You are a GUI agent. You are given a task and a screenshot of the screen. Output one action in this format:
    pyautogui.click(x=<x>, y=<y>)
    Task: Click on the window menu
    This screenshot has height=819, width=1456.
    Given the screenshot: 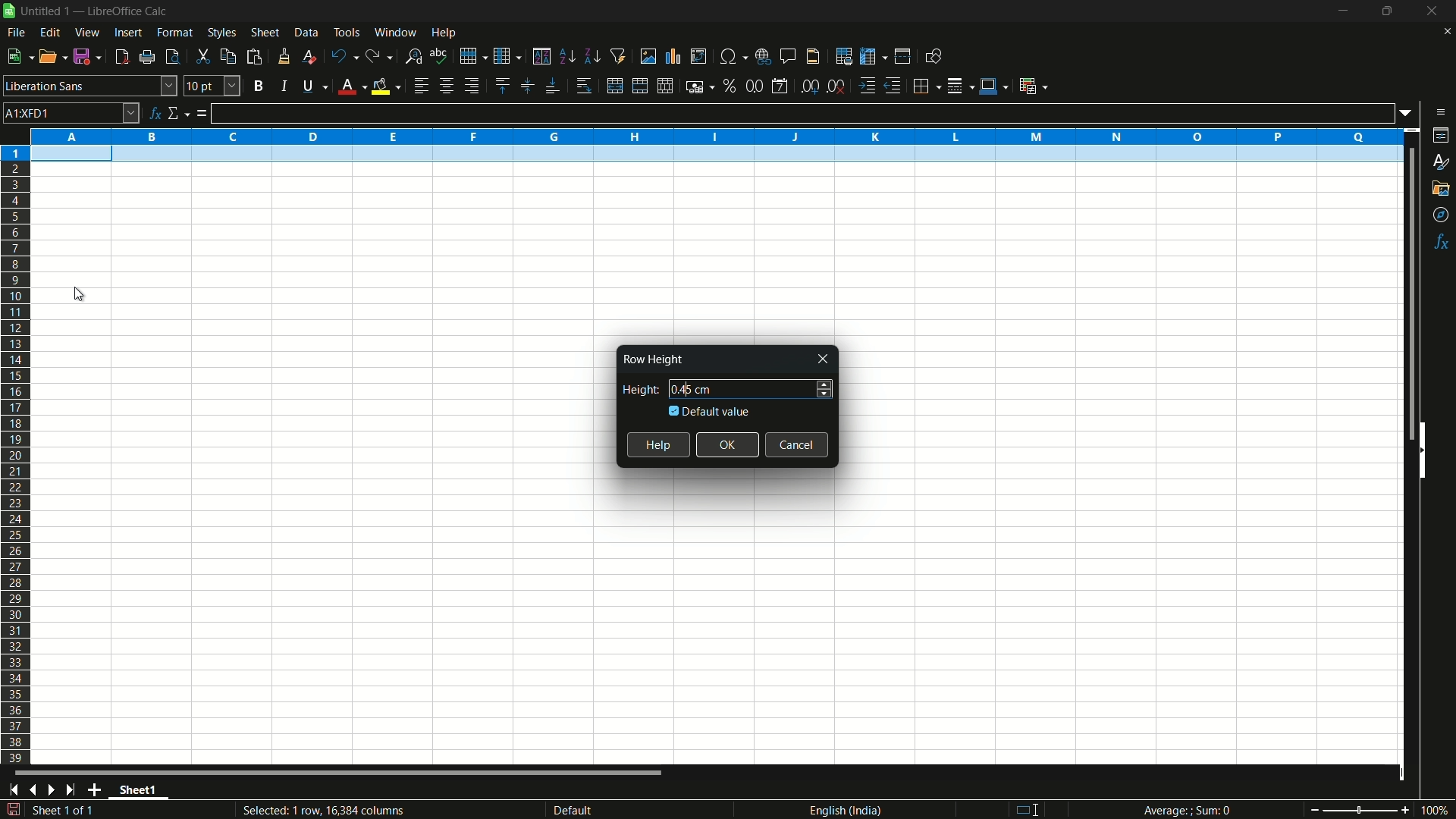 What is the action you would take?
    pyautogui.click(x=395, y=32)
    